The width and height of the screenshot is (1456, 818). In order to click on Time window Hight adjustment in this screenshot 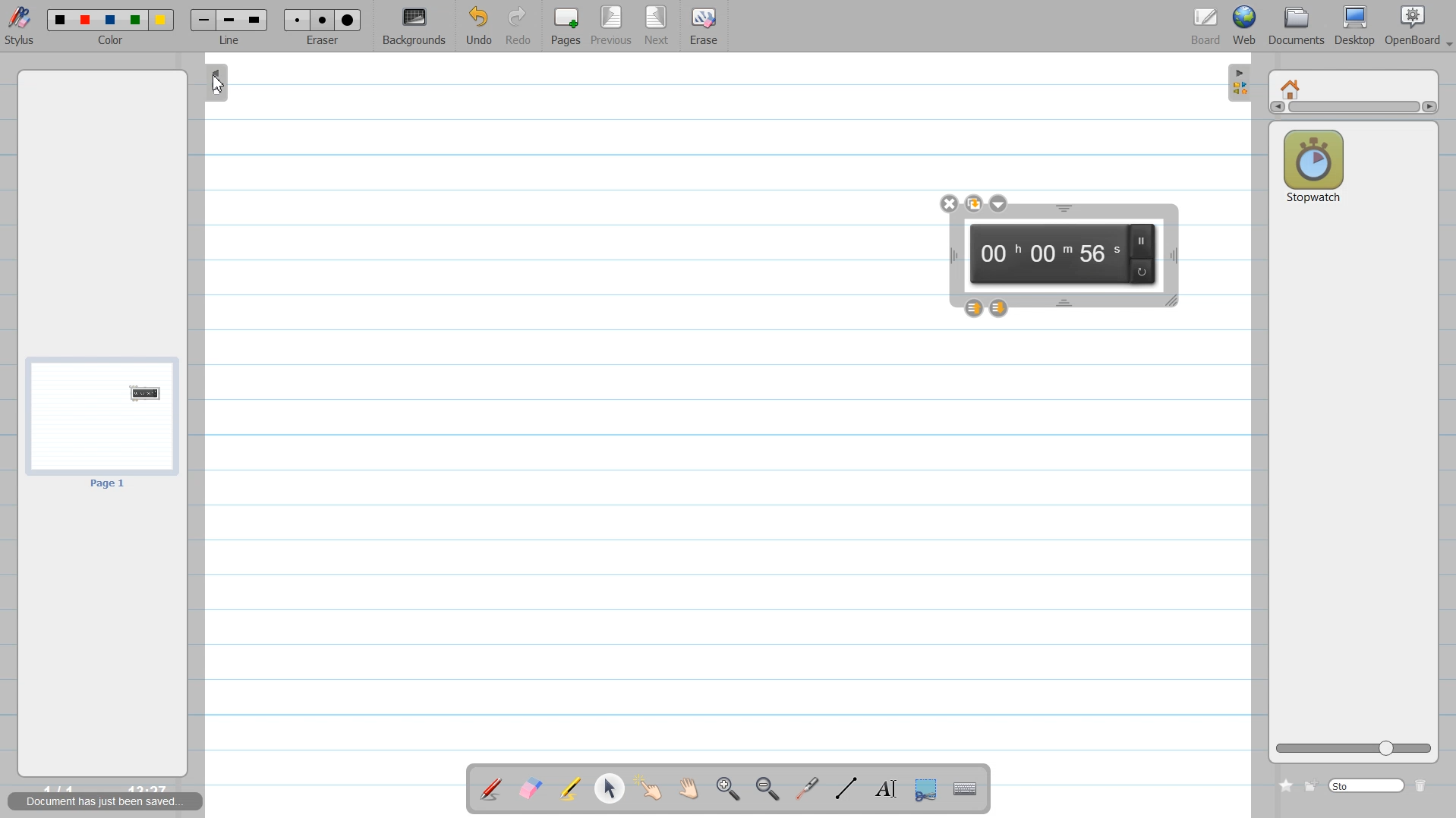, I will do `click(1066, 303)`.